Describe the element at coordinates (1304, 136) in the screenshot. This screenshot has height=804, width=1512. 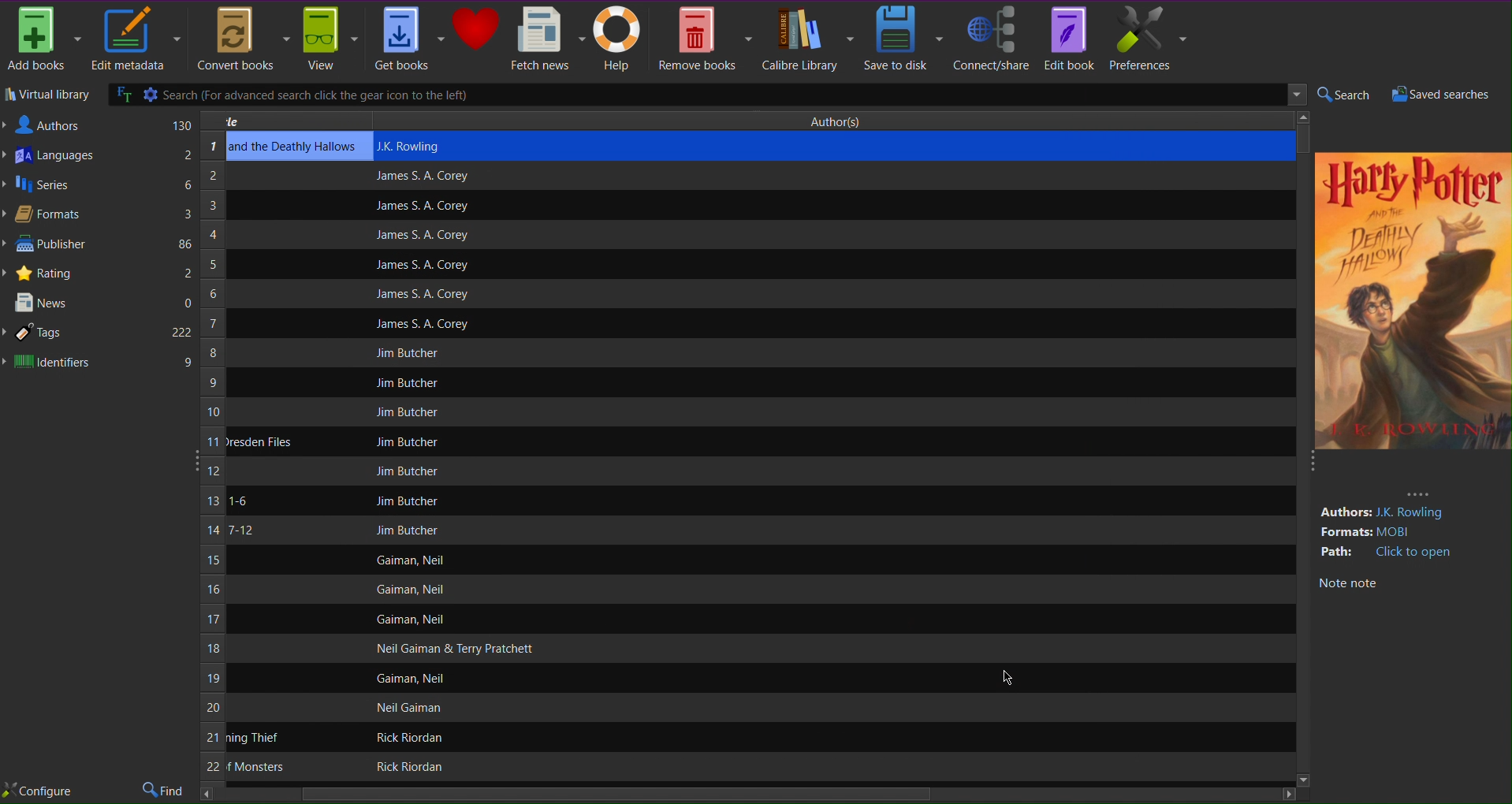
I see `Scrollbar` at that location.